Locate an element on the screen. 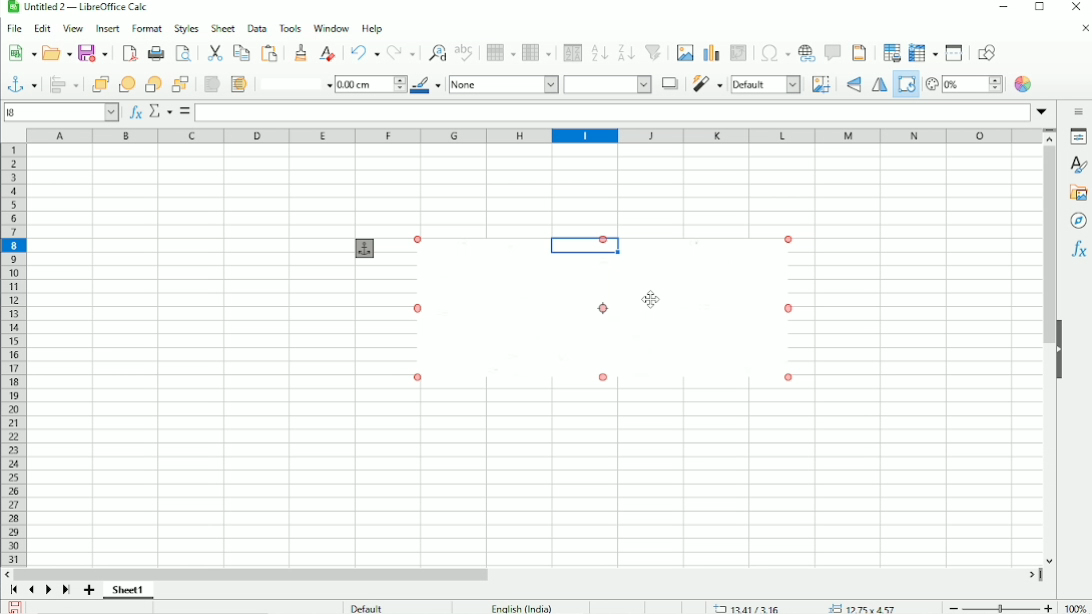  Input line is located at coordinates (613, 113).